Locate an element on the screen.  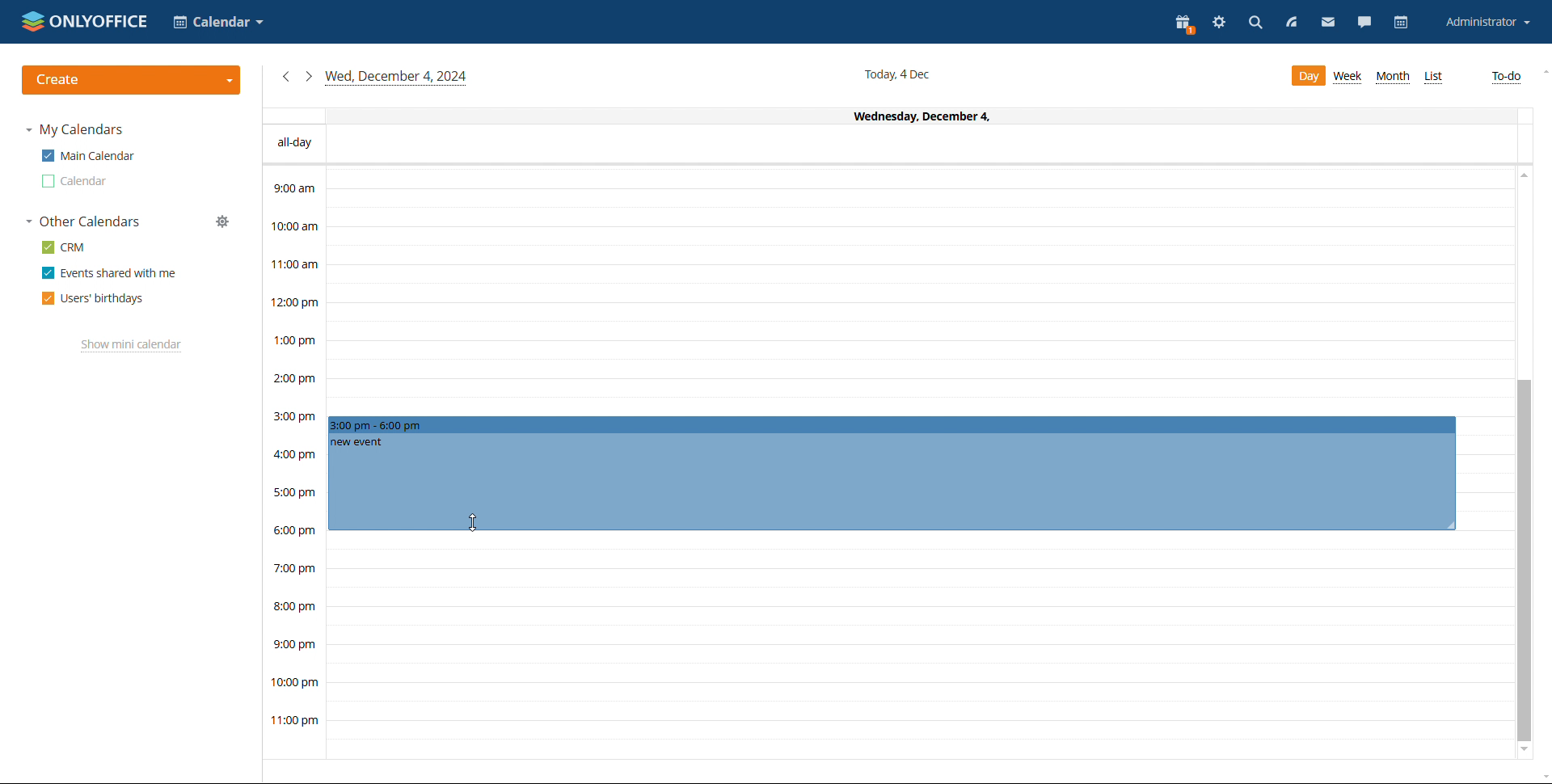
calendars is located at coordinates (84, 221).